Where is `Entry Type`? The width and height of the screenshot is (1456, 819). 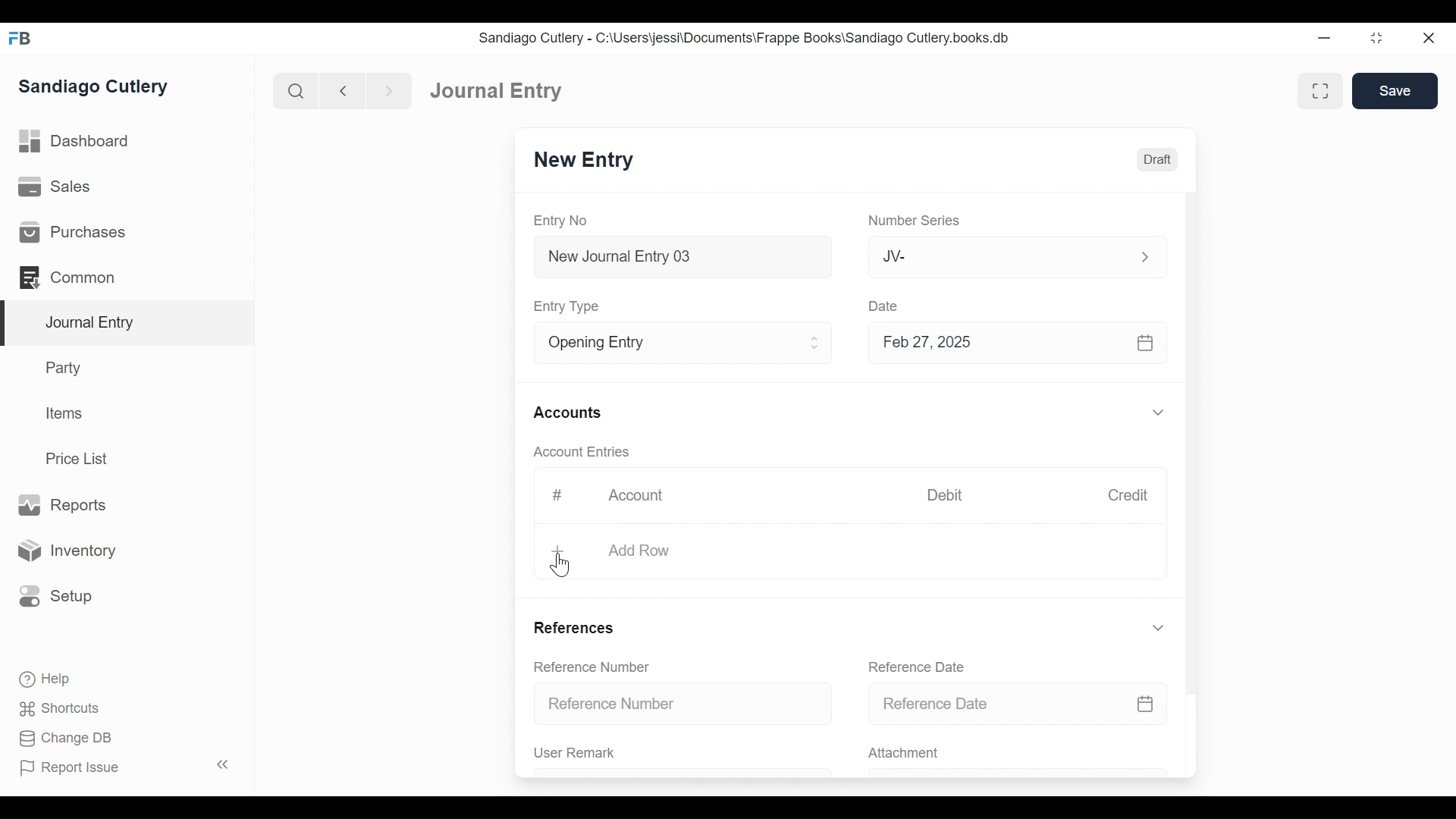 Entry Type is located at coordinates (663, 343).